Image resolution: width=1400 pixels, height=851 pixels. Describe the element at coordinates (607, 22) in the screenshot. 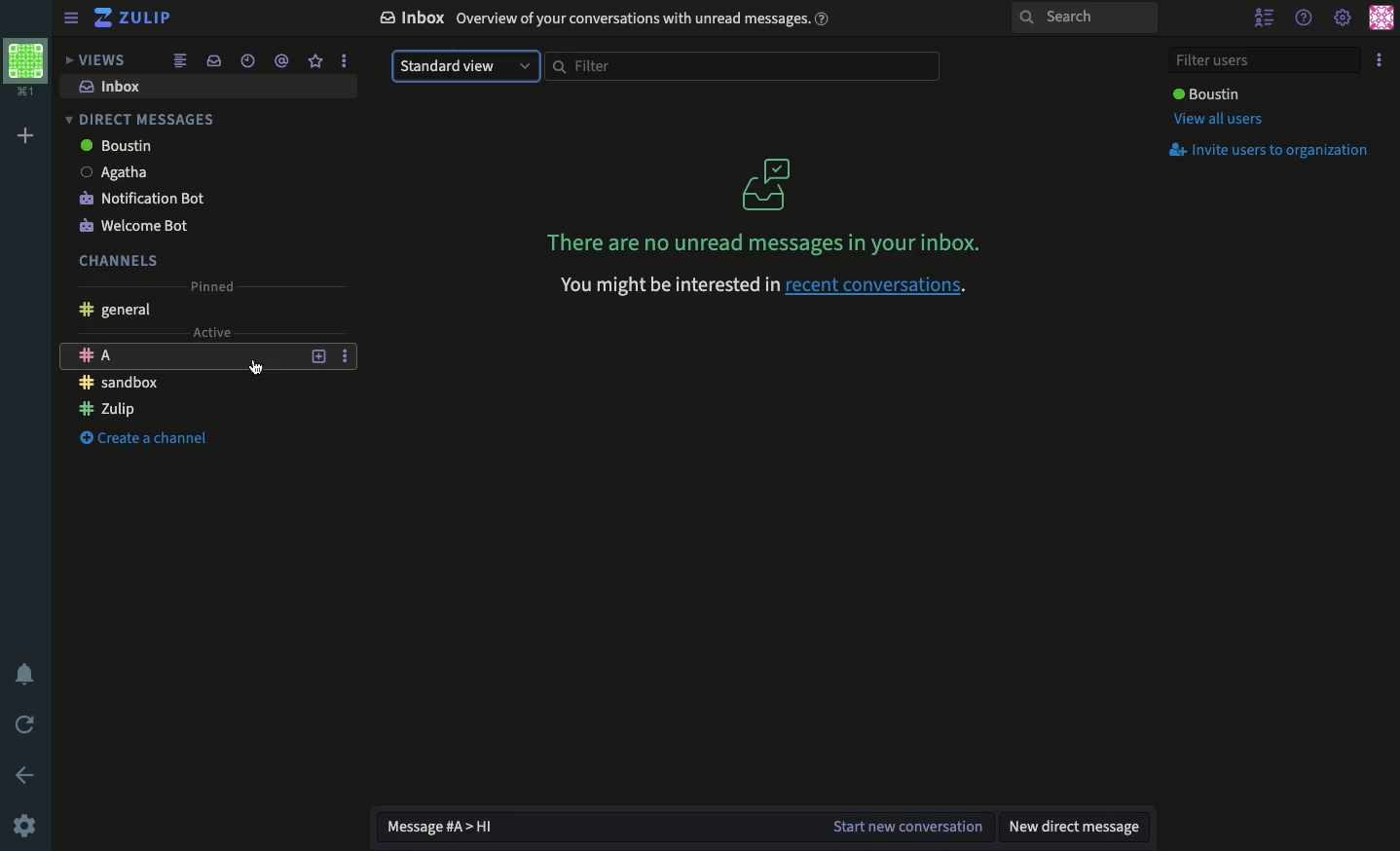

I see `Inbox` at that location.